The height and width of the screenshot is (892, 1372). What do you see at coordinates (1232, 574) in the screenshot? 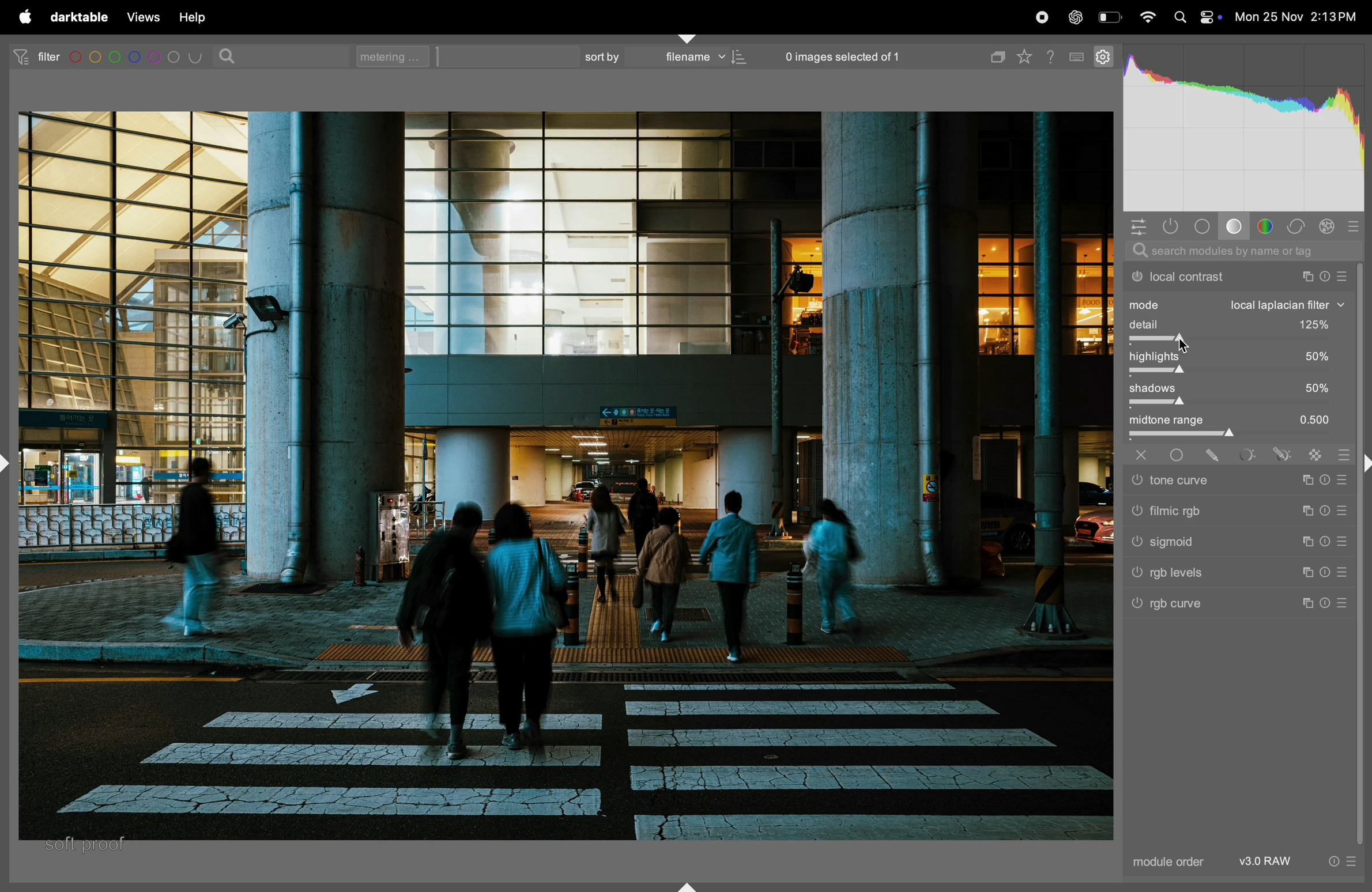
I see `rgb levels` at bounding box center [1232, 574].